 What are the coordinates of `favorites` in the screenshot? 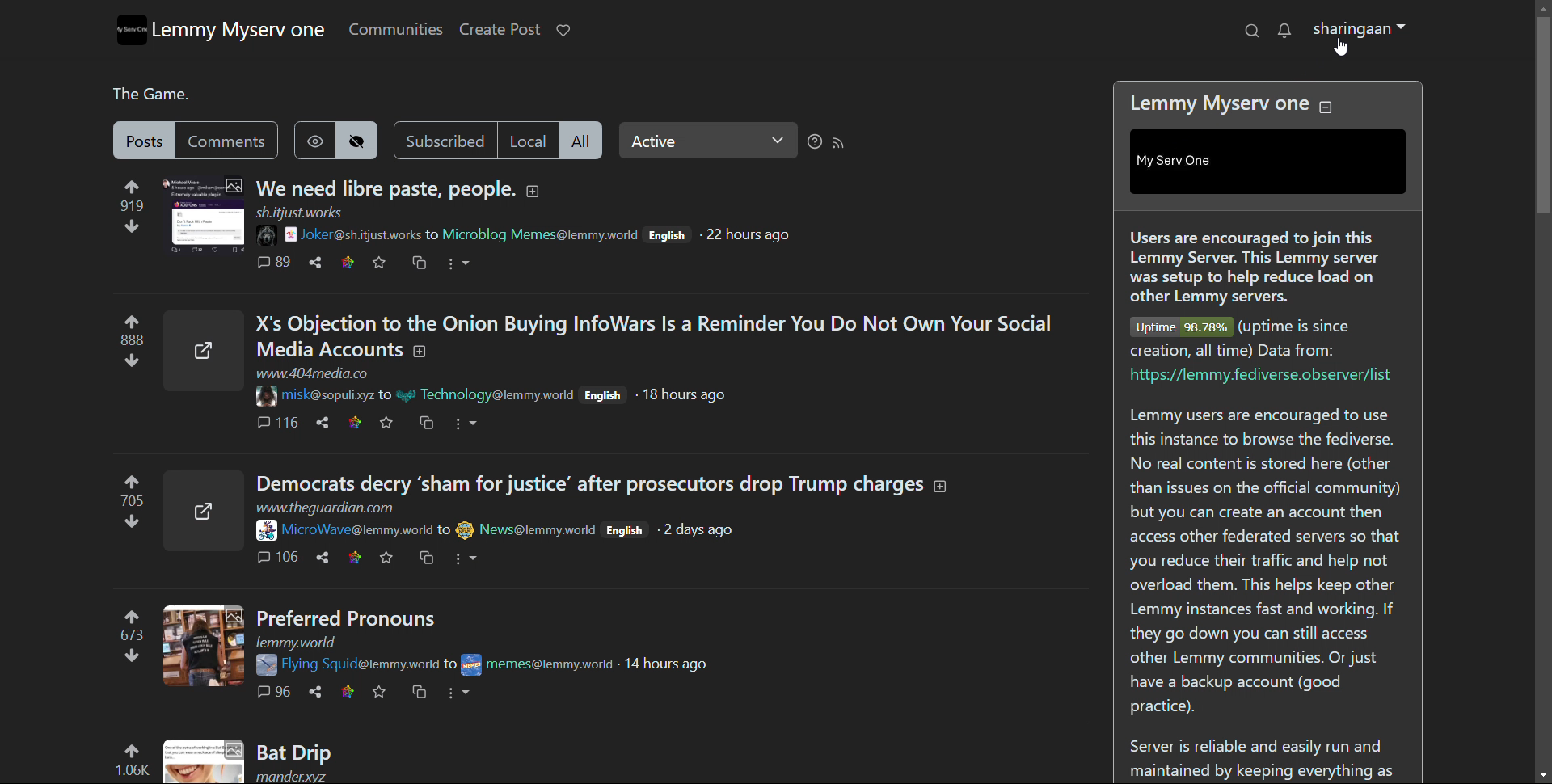 It's located at (380, 263).